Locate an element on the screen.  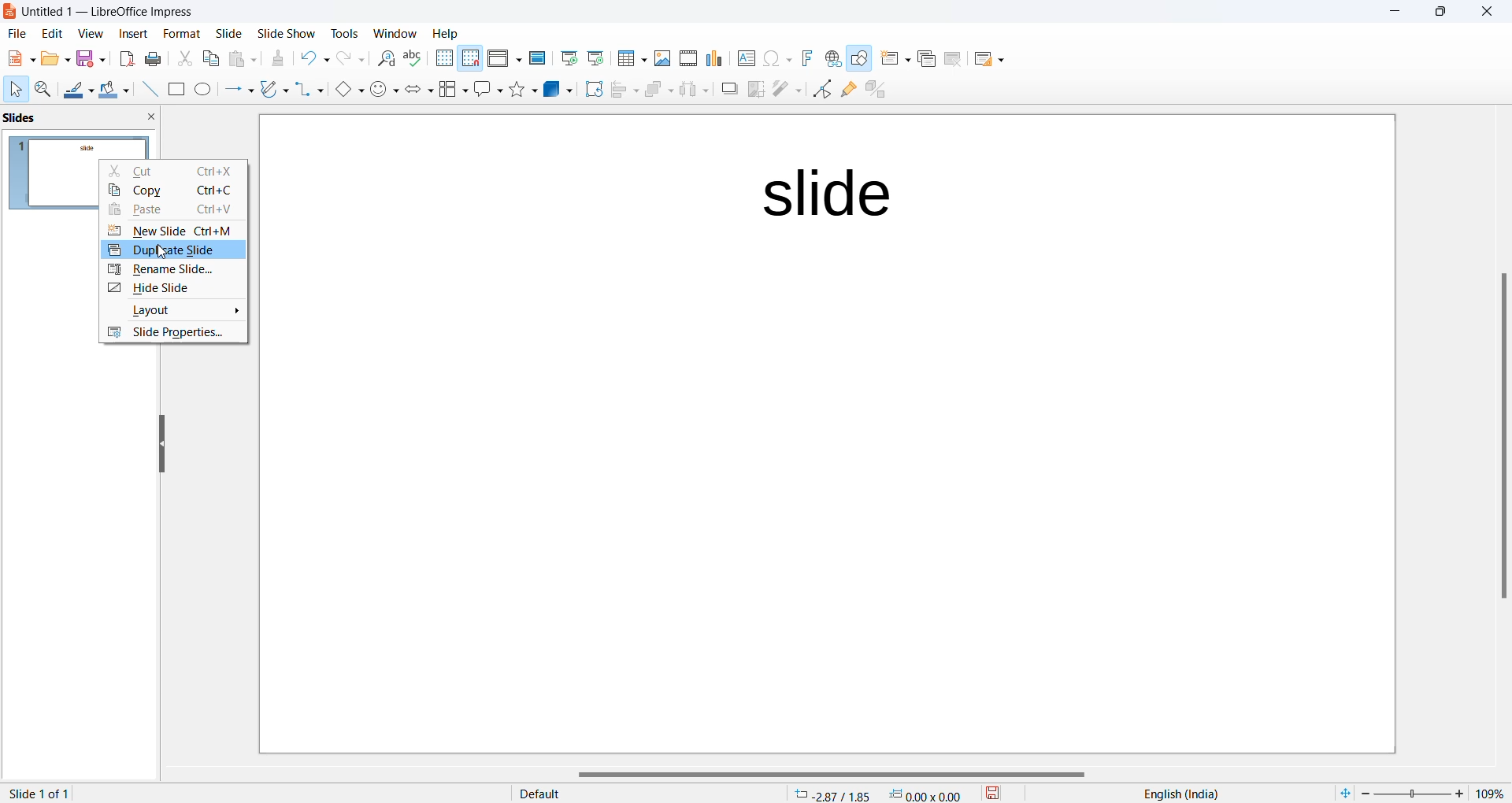
Insert text is located at coordinates (740, 57).